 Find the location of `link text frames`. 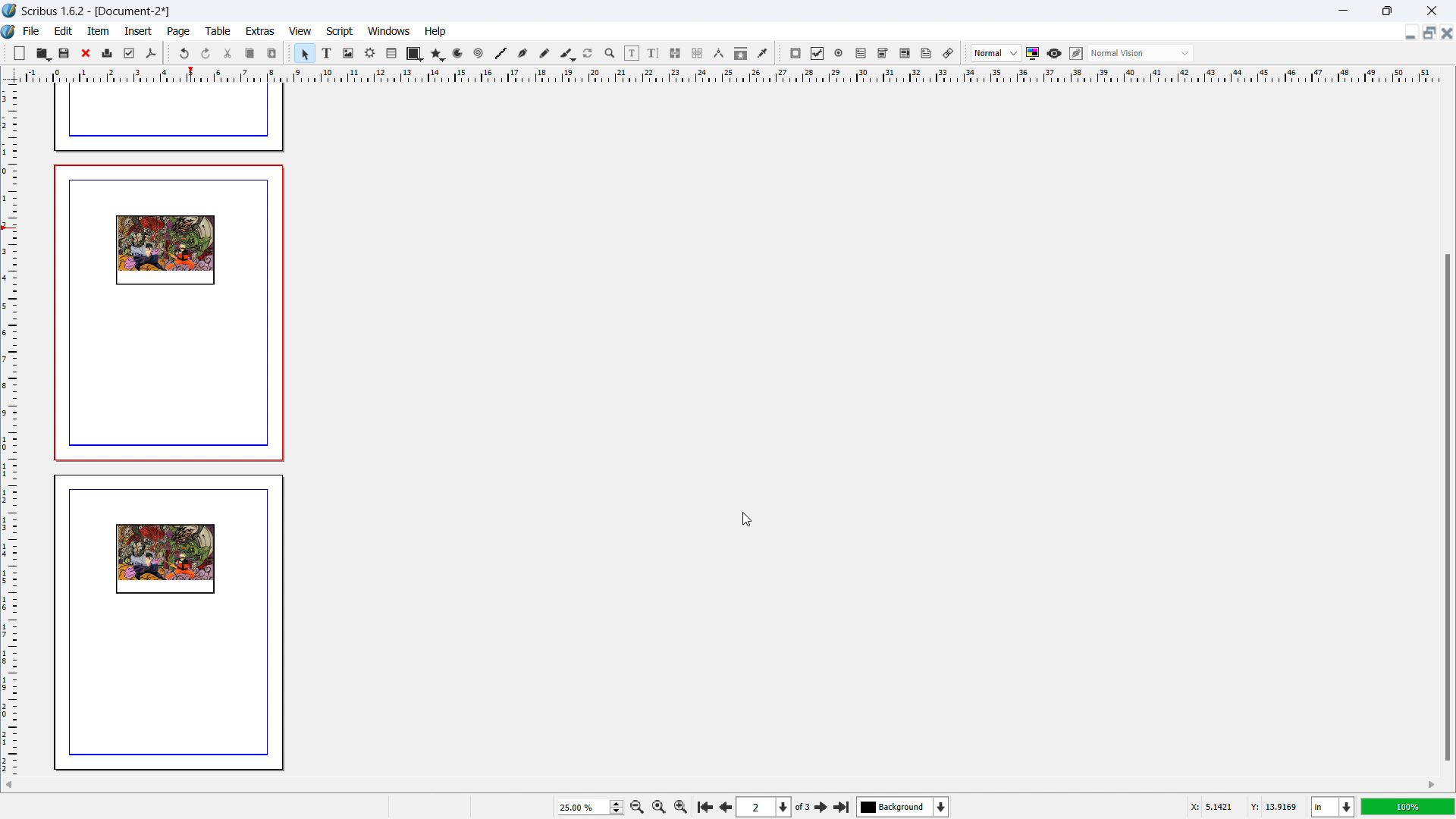

link text frames is located at coordinates (676, 54).